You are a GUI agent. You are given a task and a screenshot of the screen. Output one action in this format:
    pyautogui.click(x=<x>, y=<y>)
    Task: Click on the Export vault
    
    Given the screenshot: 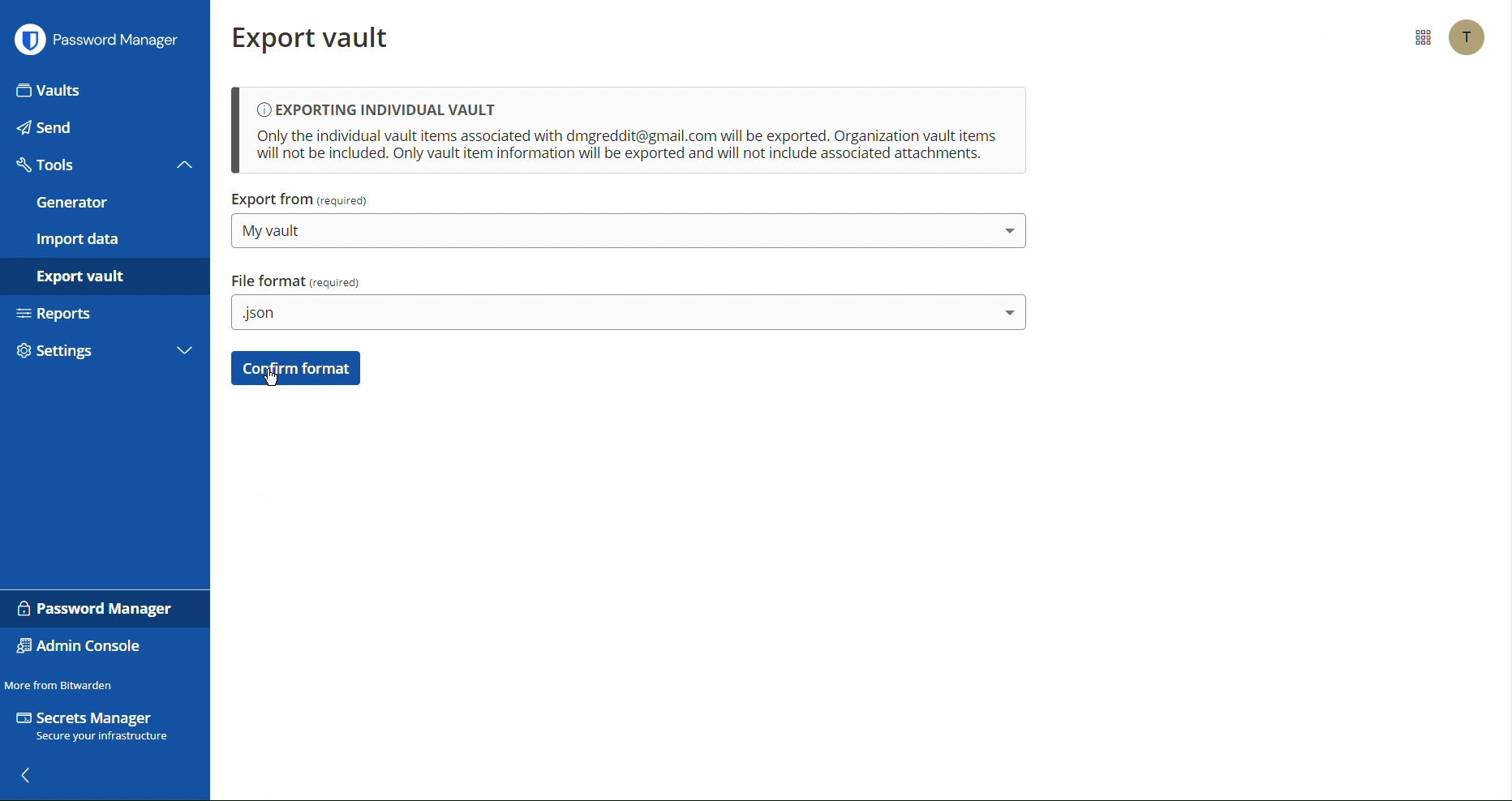 What is the action you would take?
    pyautogui.click(x=94, y=279)
    